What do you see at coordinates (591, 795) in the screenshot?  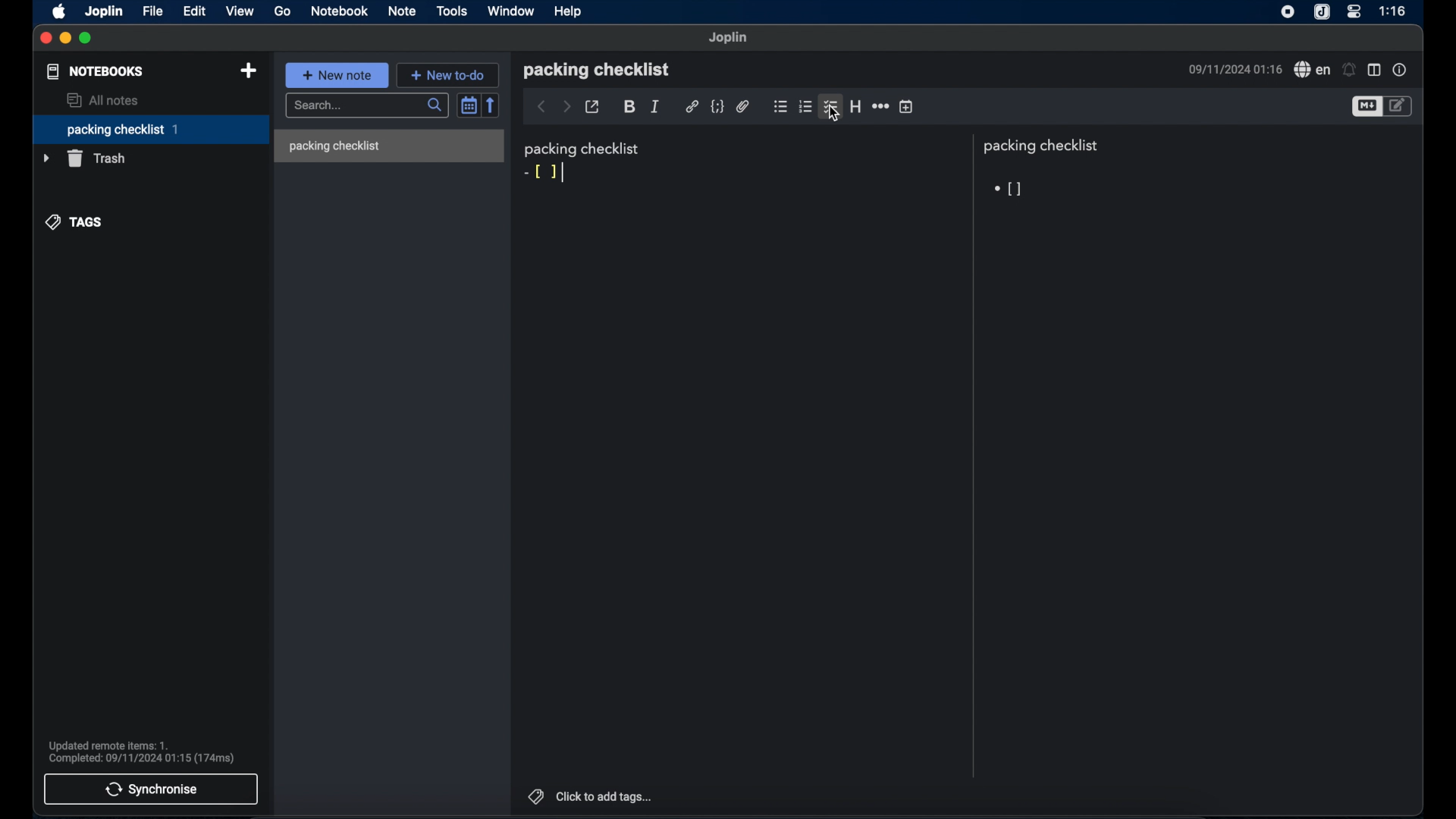 I see `click to add tags` at bounding box center [591, 795].